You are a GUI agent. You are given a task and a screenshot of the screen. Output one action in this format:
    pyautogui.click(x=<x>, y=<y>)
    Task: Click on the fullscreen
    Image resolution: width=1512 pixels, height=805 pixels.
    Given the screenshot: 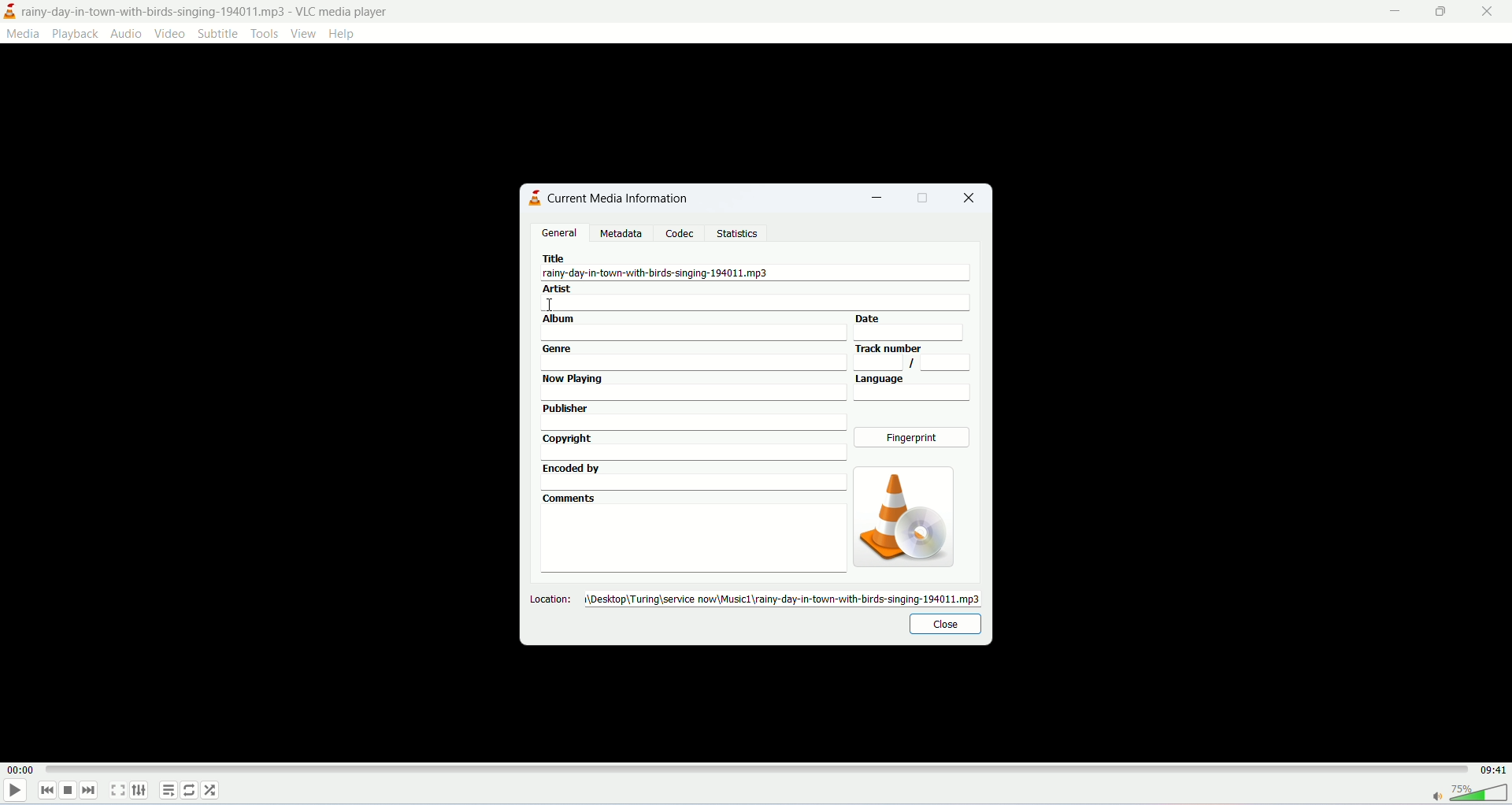 What is the action you would take?
    pyautogui.click(x=120, y=788)
    